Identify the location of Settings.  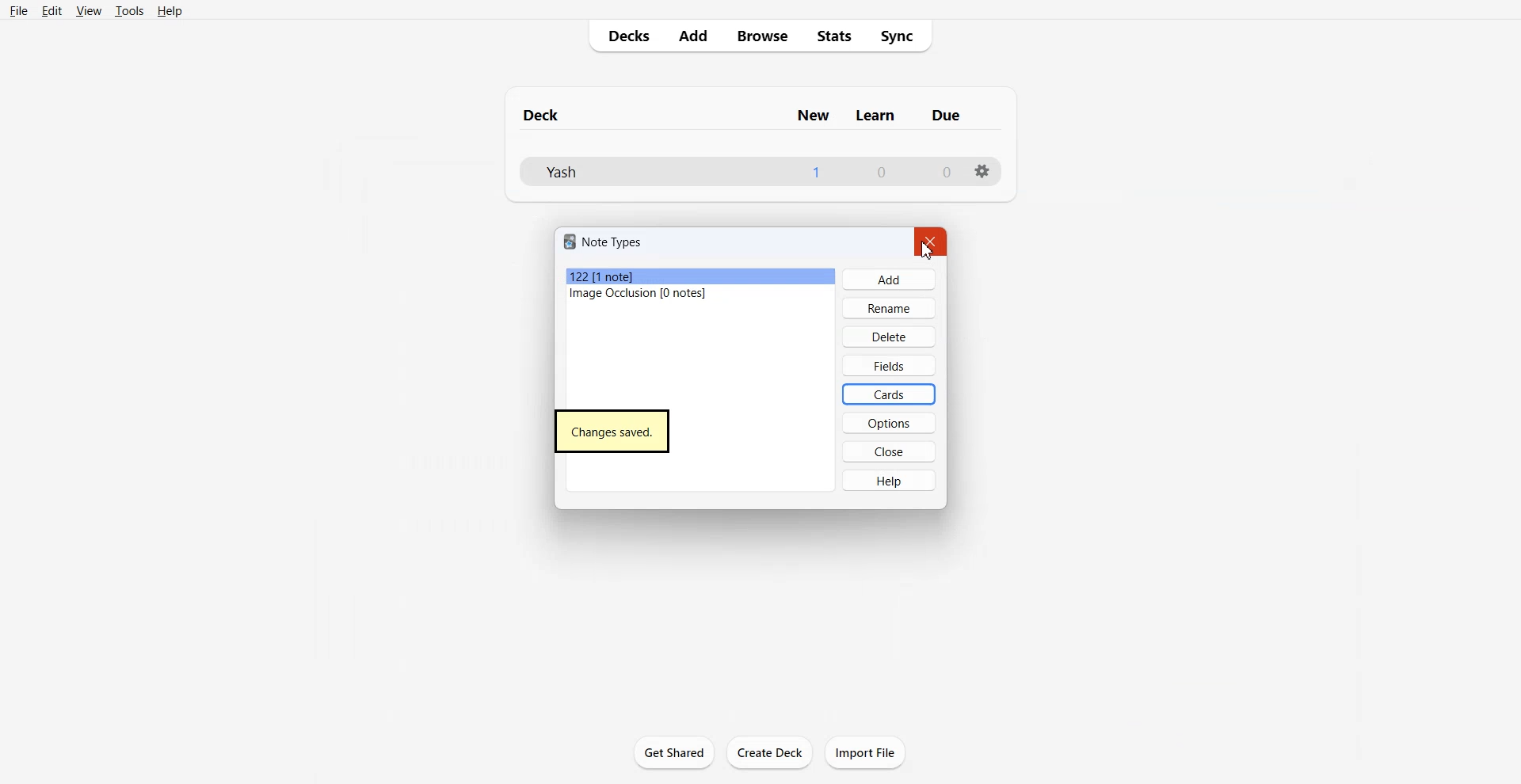
(980, 171).